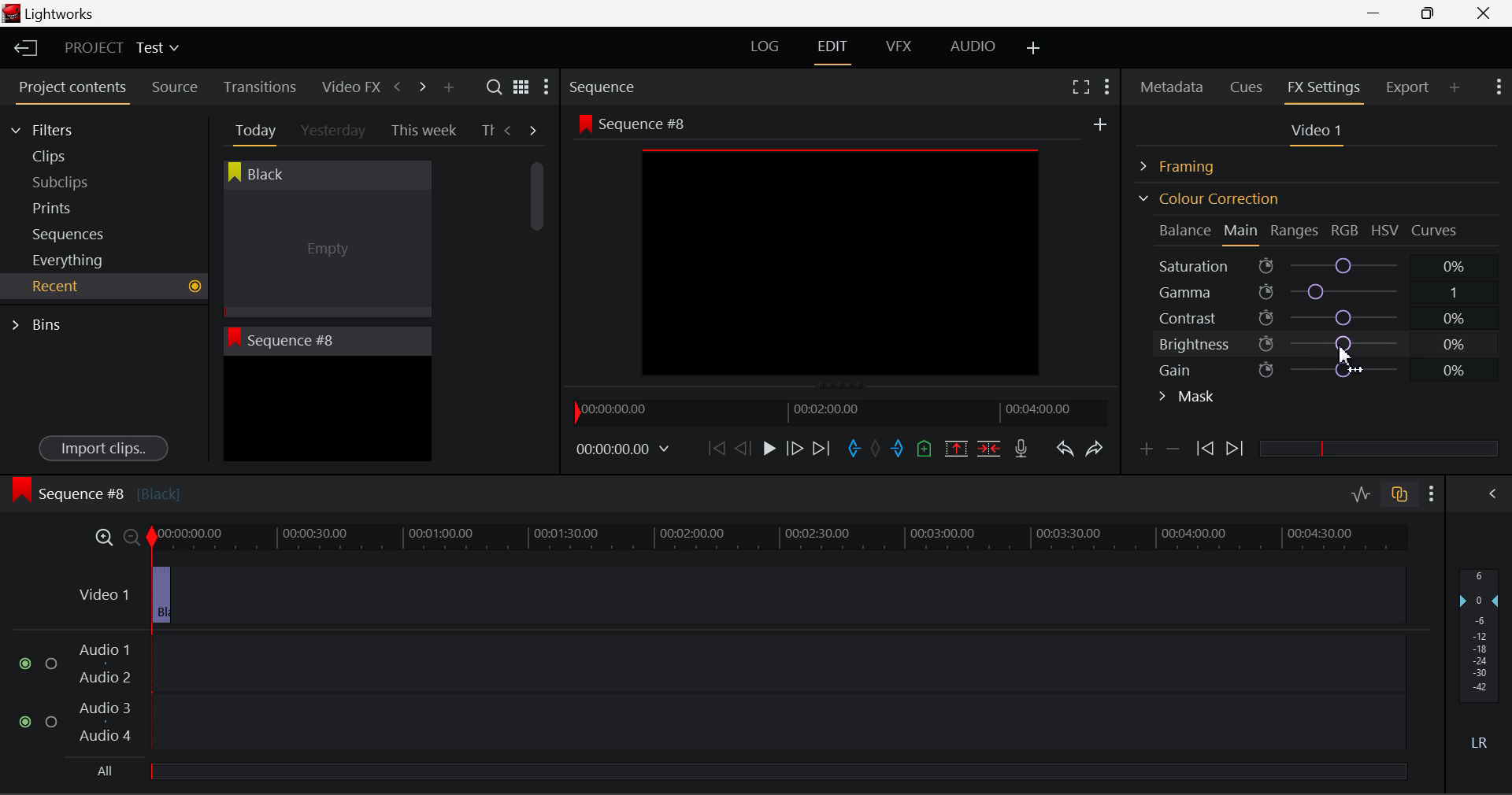 This screenshot has height=795, width=1512. I want to click on Previous keyframe, so click(1203, 449).